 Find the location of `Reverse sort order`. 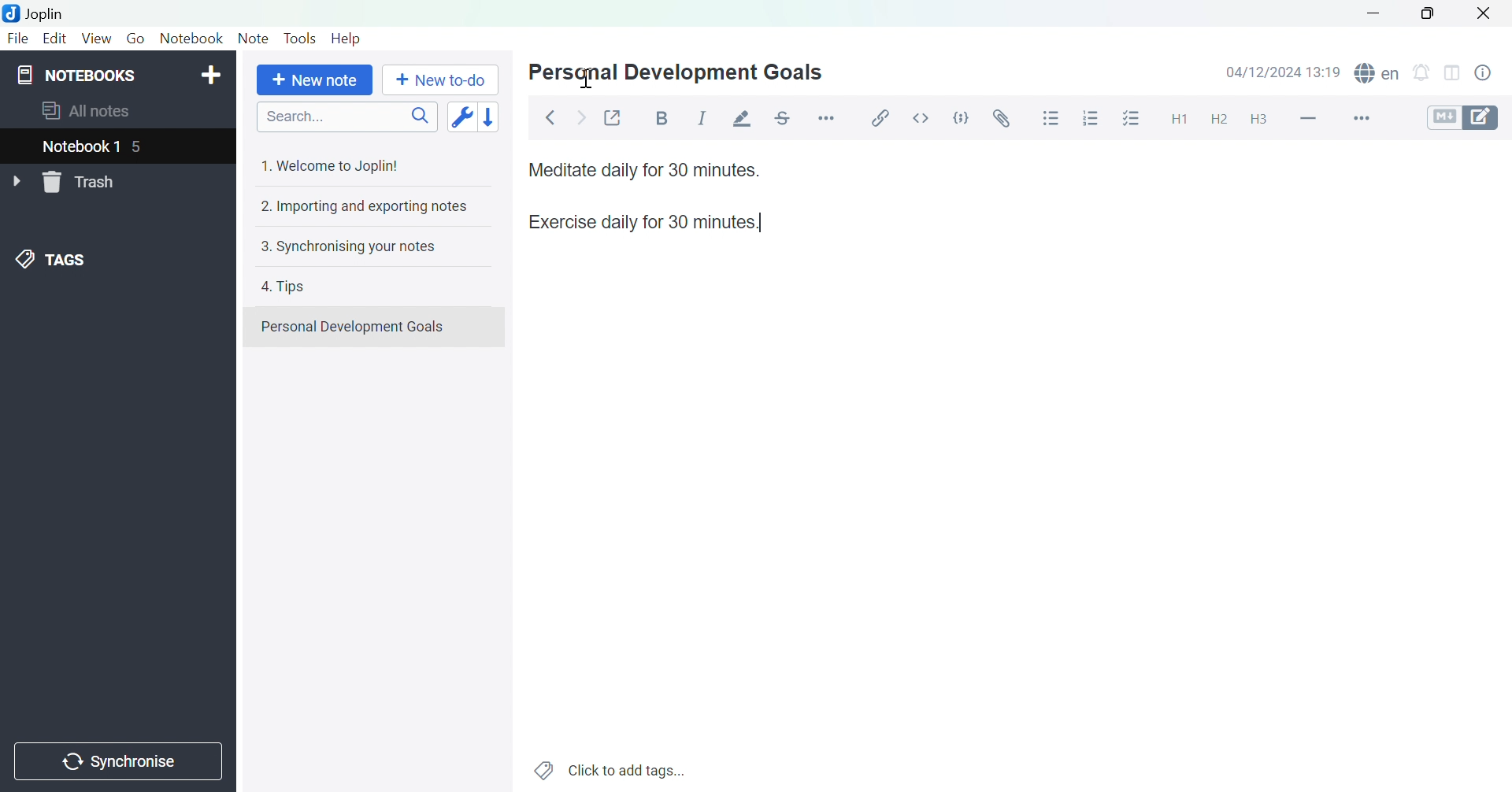

Reverse sort order is located at coordinates (490, 116).